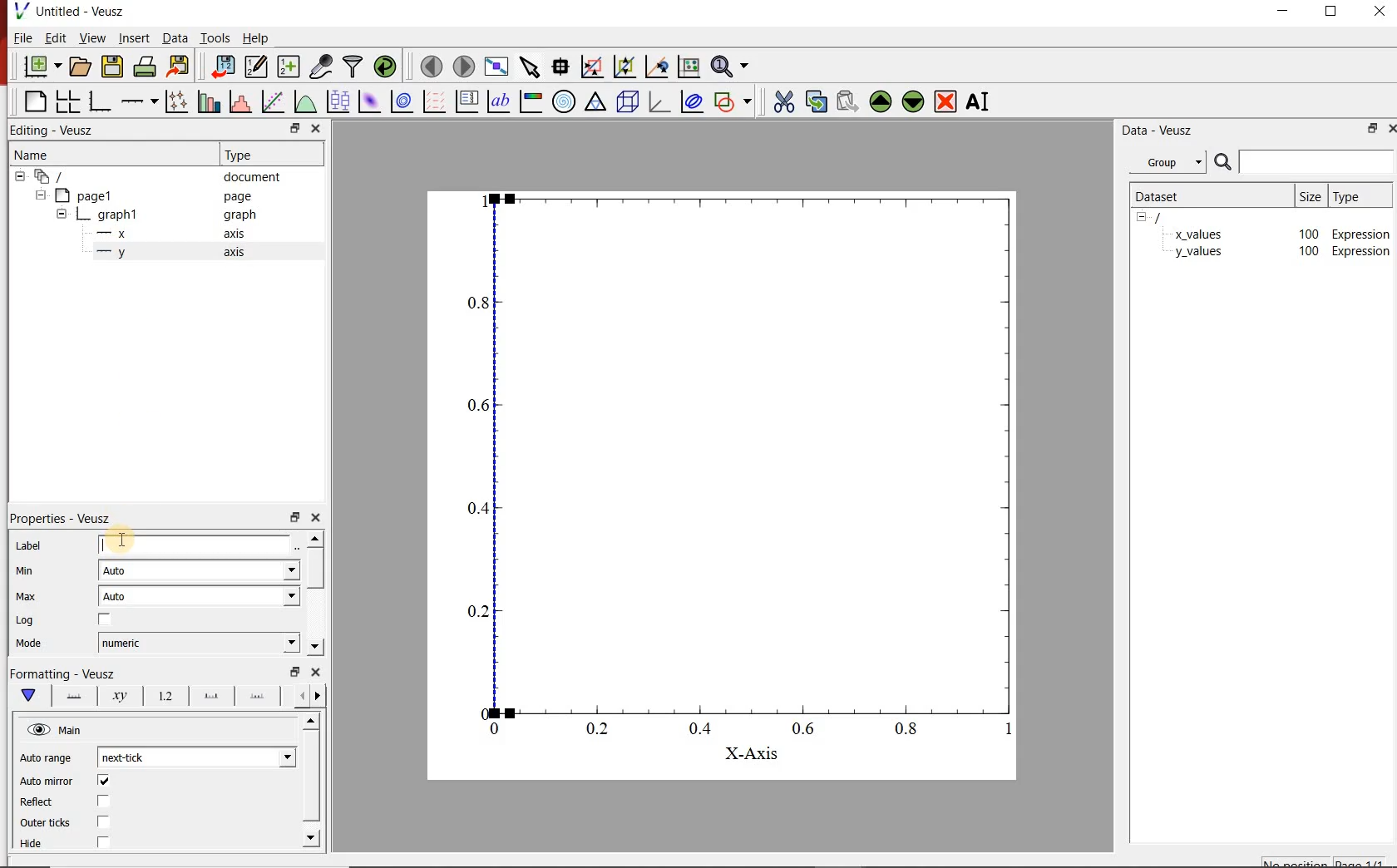 Image resolution: width=1397 pixels, height=868 pixels. I want to click on close, so click(317, 128).